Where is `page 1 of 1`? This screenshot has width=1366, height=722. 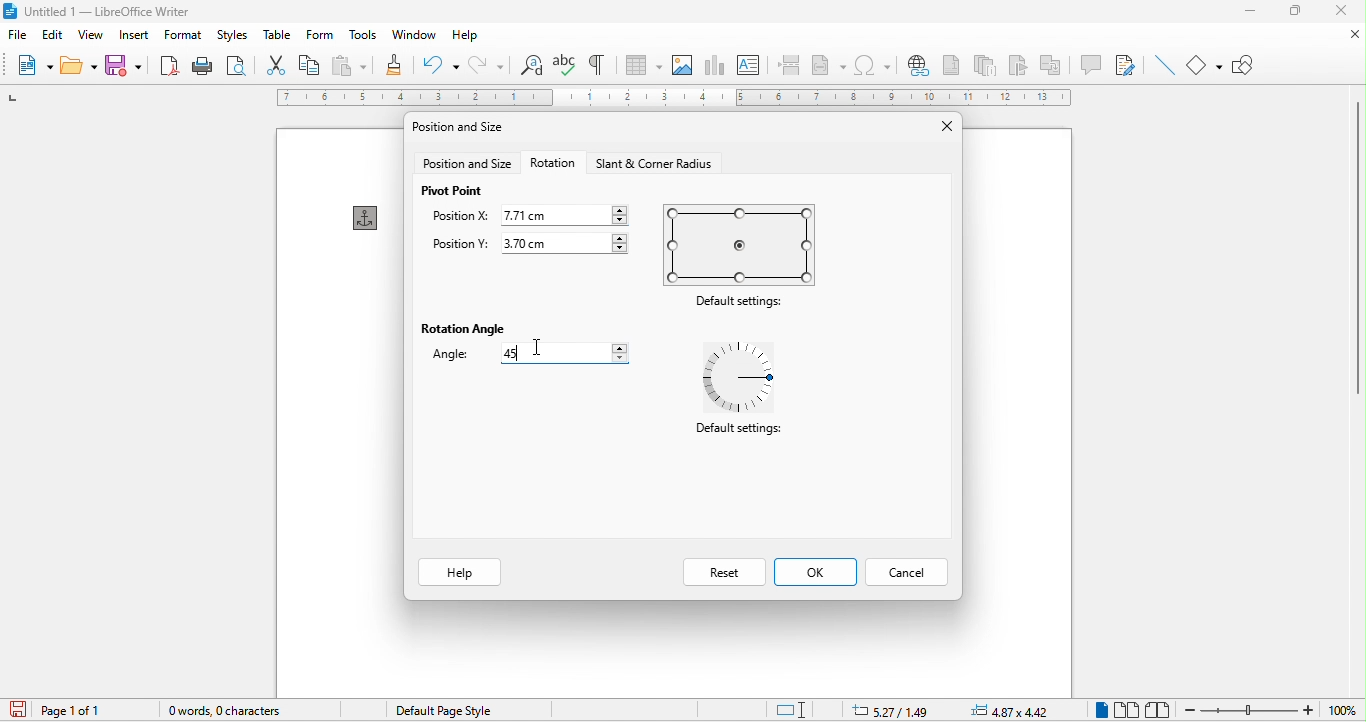
page 1 of 1 is located at coordinates (82, 710).